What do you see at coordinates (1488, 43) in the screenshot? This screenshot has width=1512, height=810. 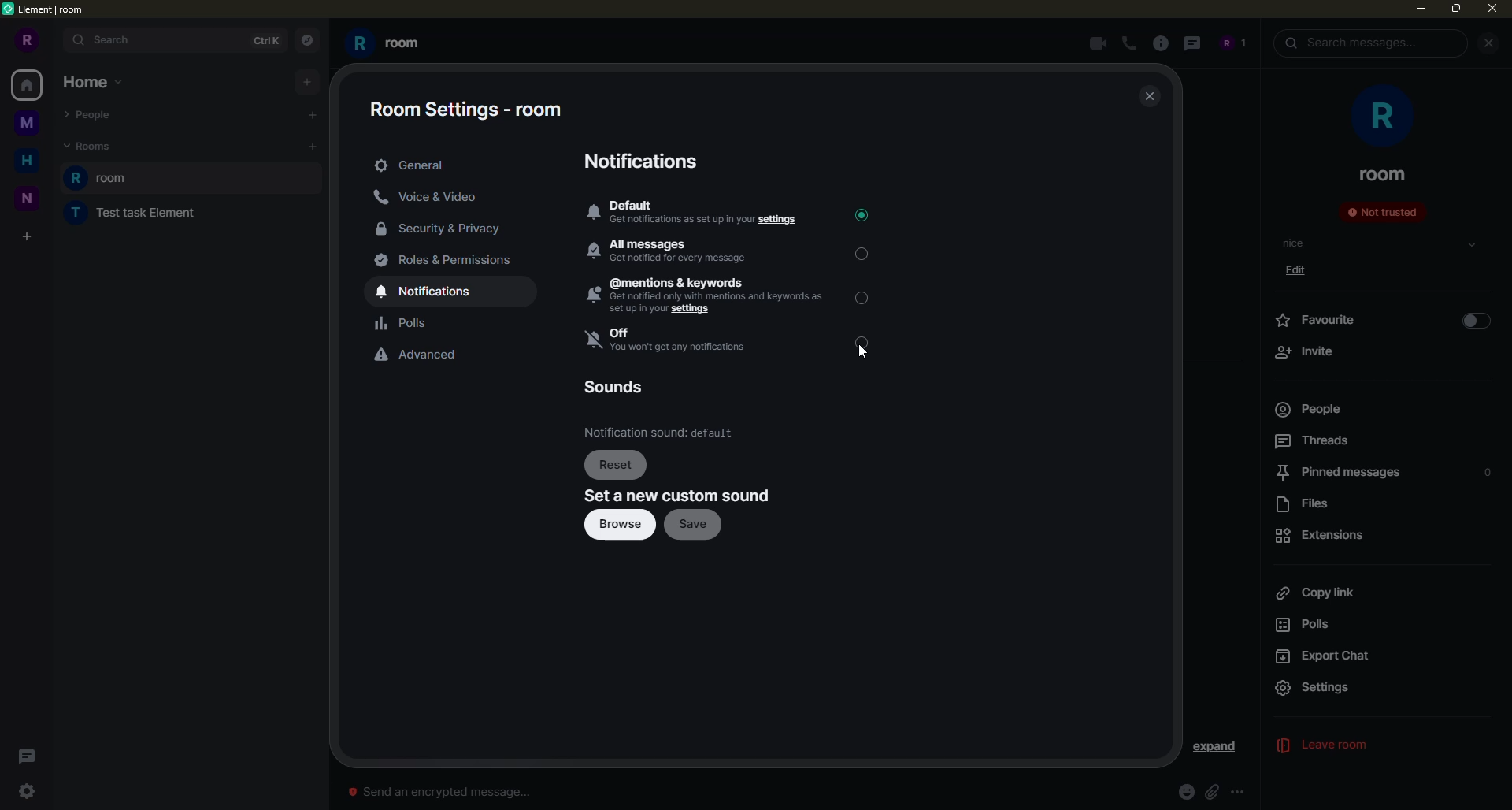 I see `close` at bounding box center [1488, 43].